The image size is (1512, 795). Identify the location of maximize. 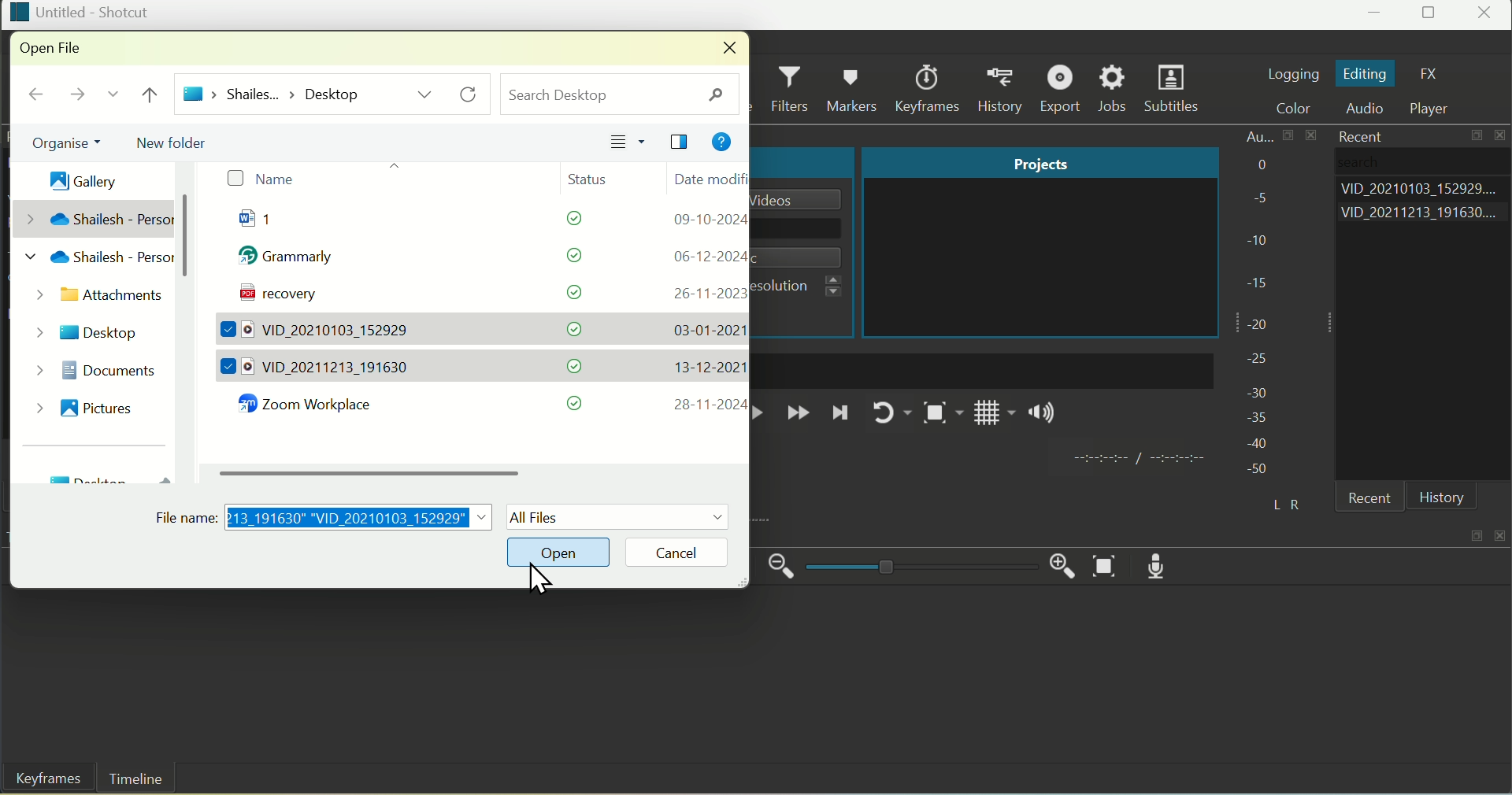
(1478, 138).